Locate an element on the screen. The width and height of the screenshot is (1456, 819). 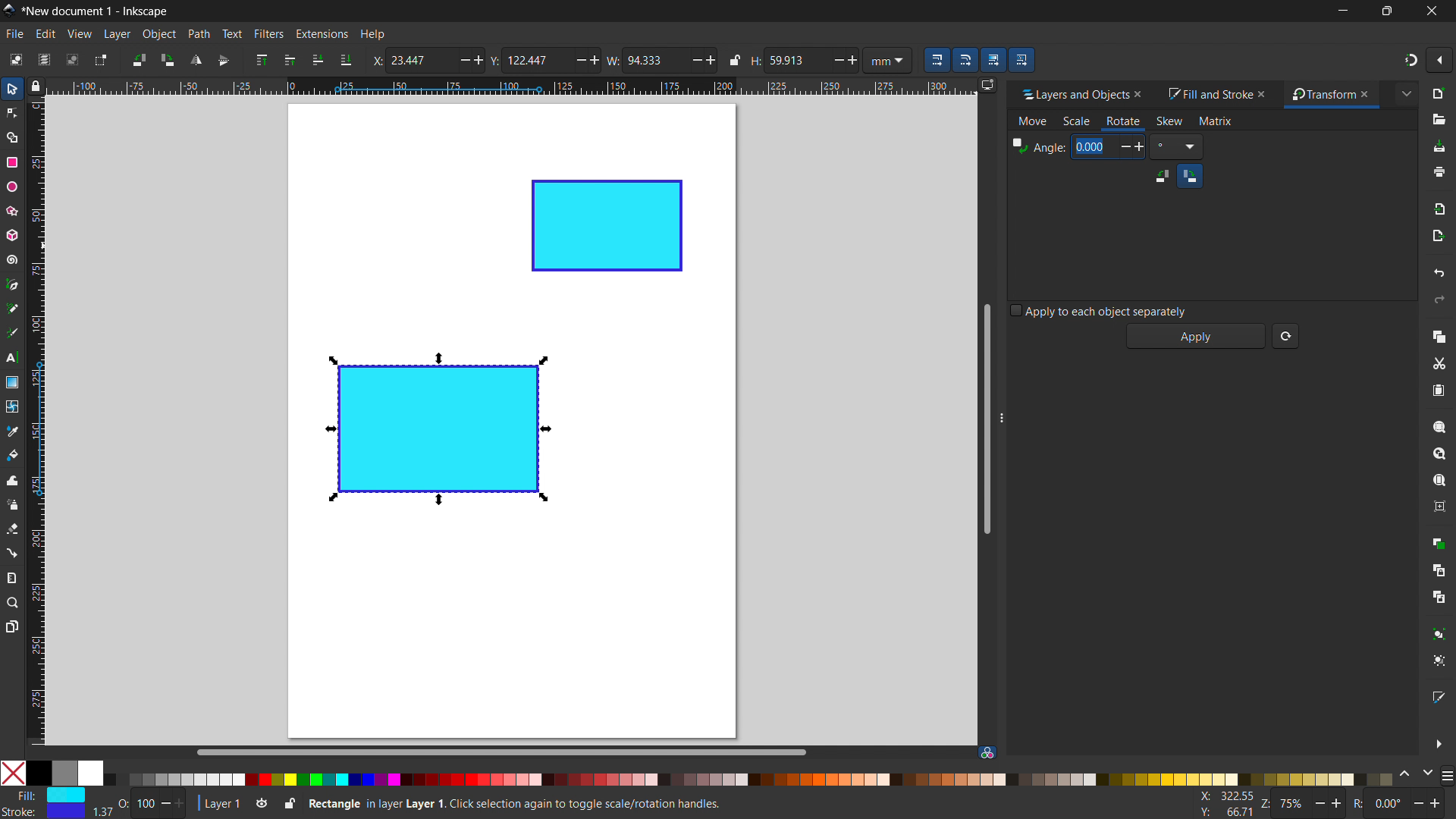
Stroke is located at coordinates (44, 812).